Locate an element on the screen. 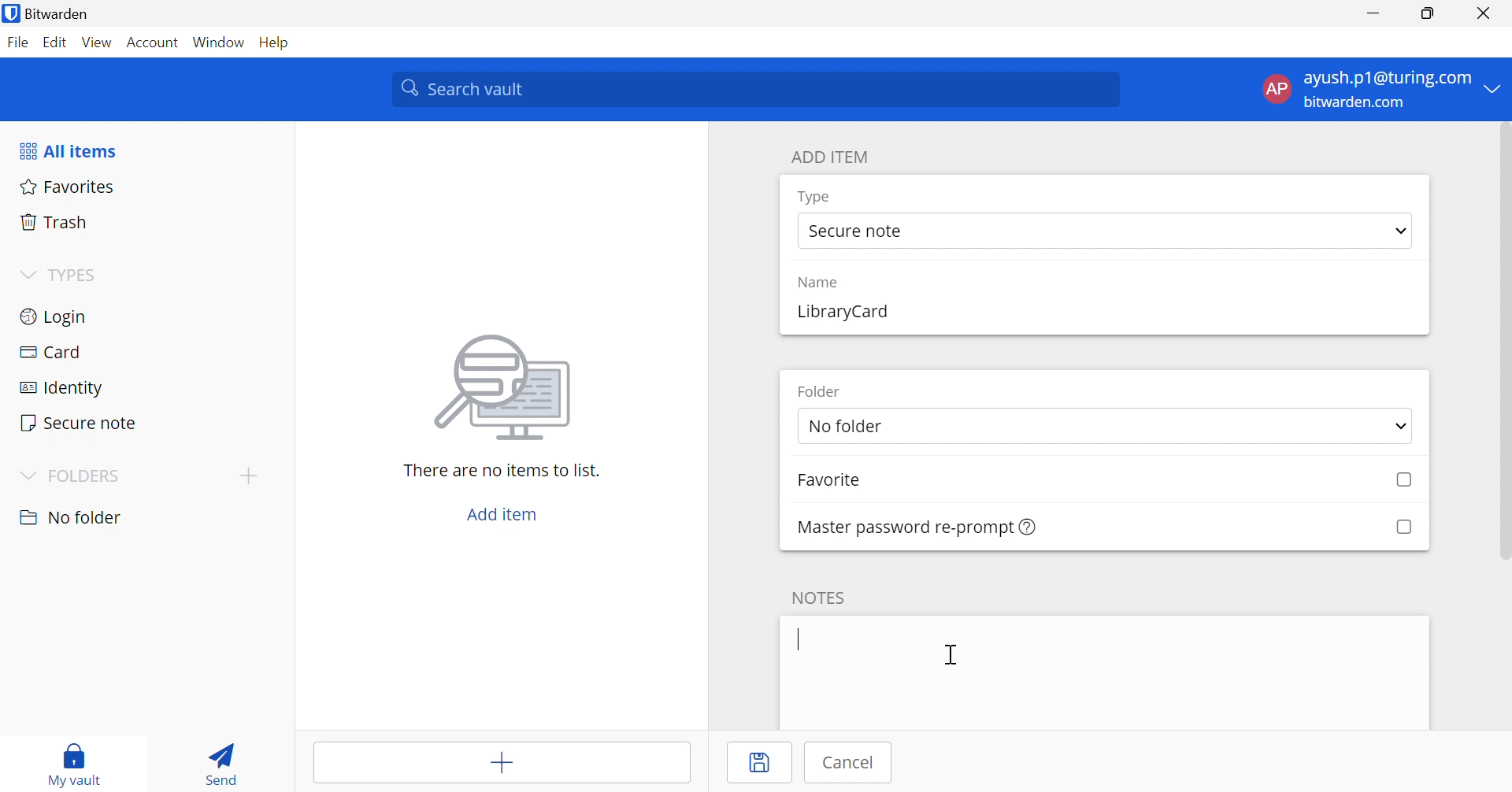 The image size is (1512, 792). Add item is located at coordinates (502, 516).